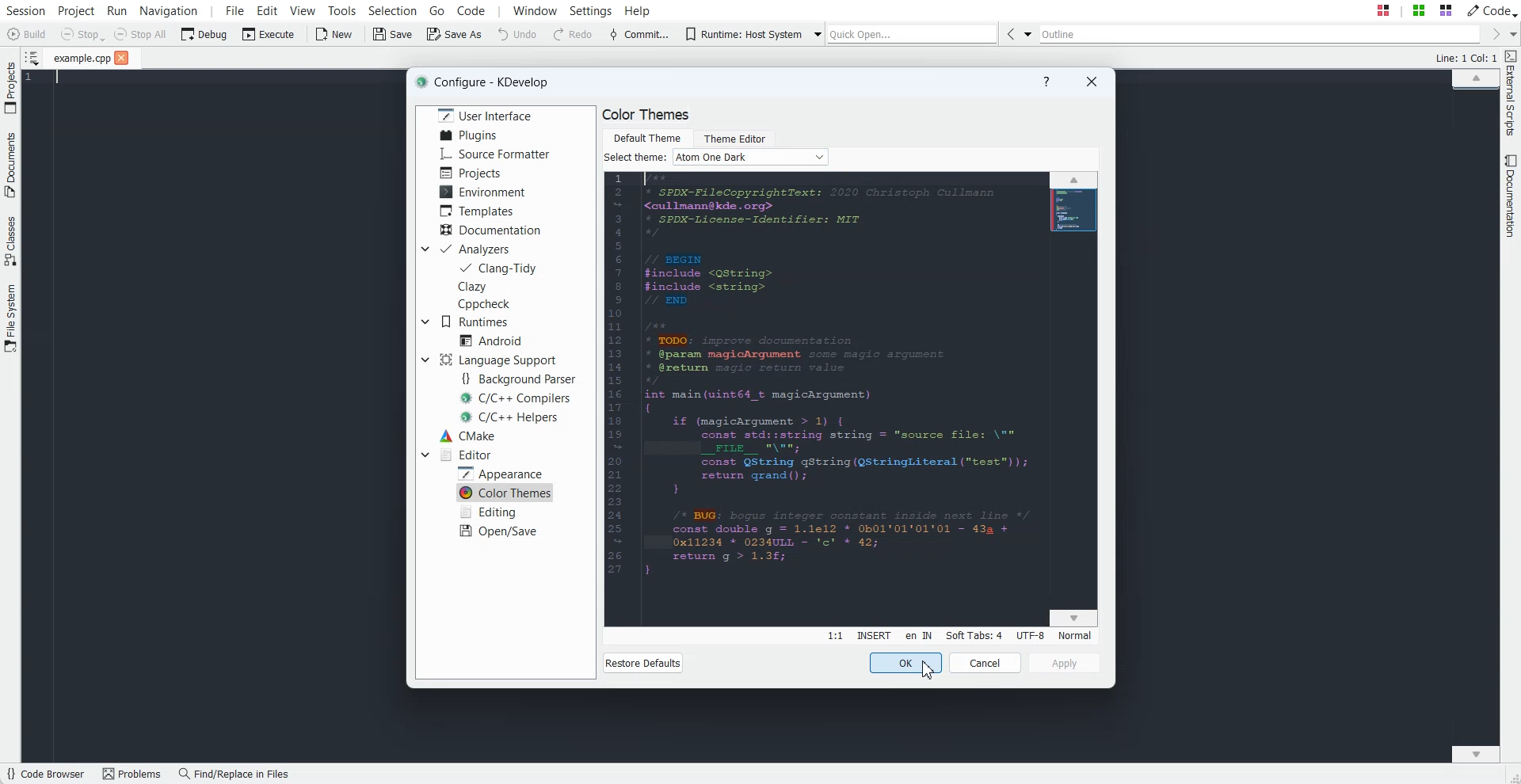 This screenshot has width=1521, height=784. Describe the element at coordinates (504, 473) in the screenshot. I see `Apperarnce` at that location.